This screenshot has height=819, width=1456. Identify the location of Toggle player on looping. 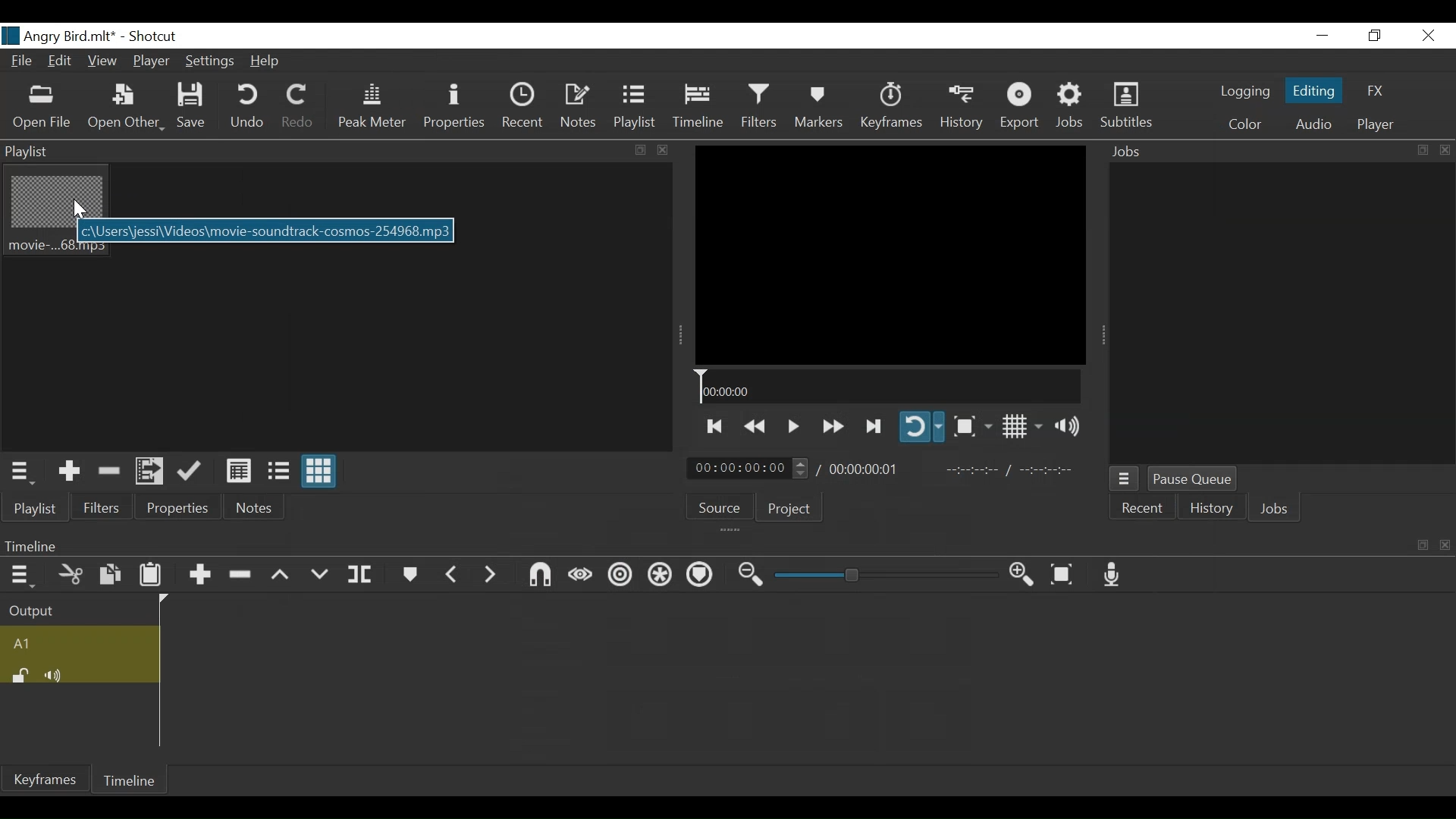
(923, 428).